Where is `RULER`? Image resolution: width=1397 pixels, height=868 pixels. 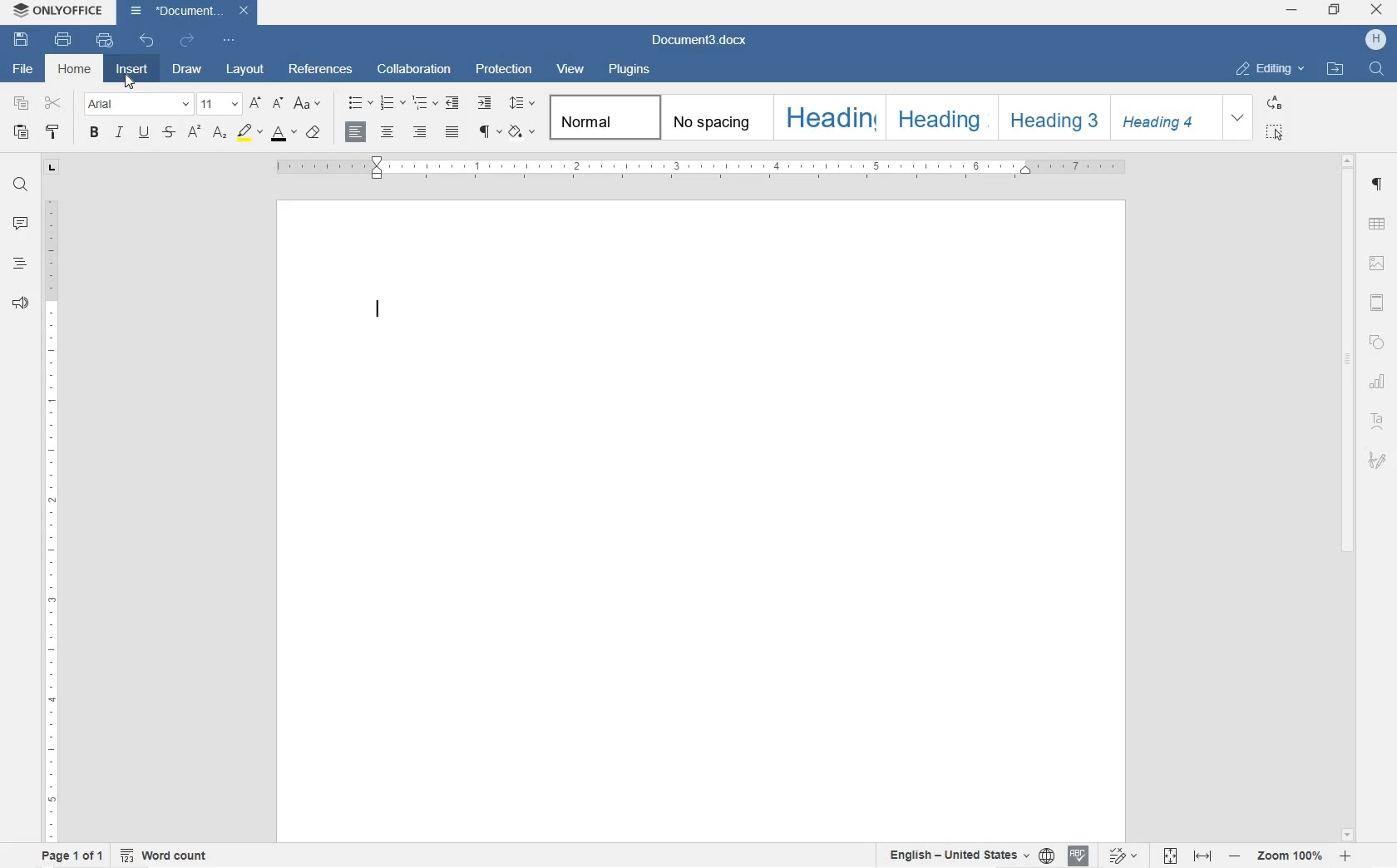 RULER is located at coordinates (704, 168).